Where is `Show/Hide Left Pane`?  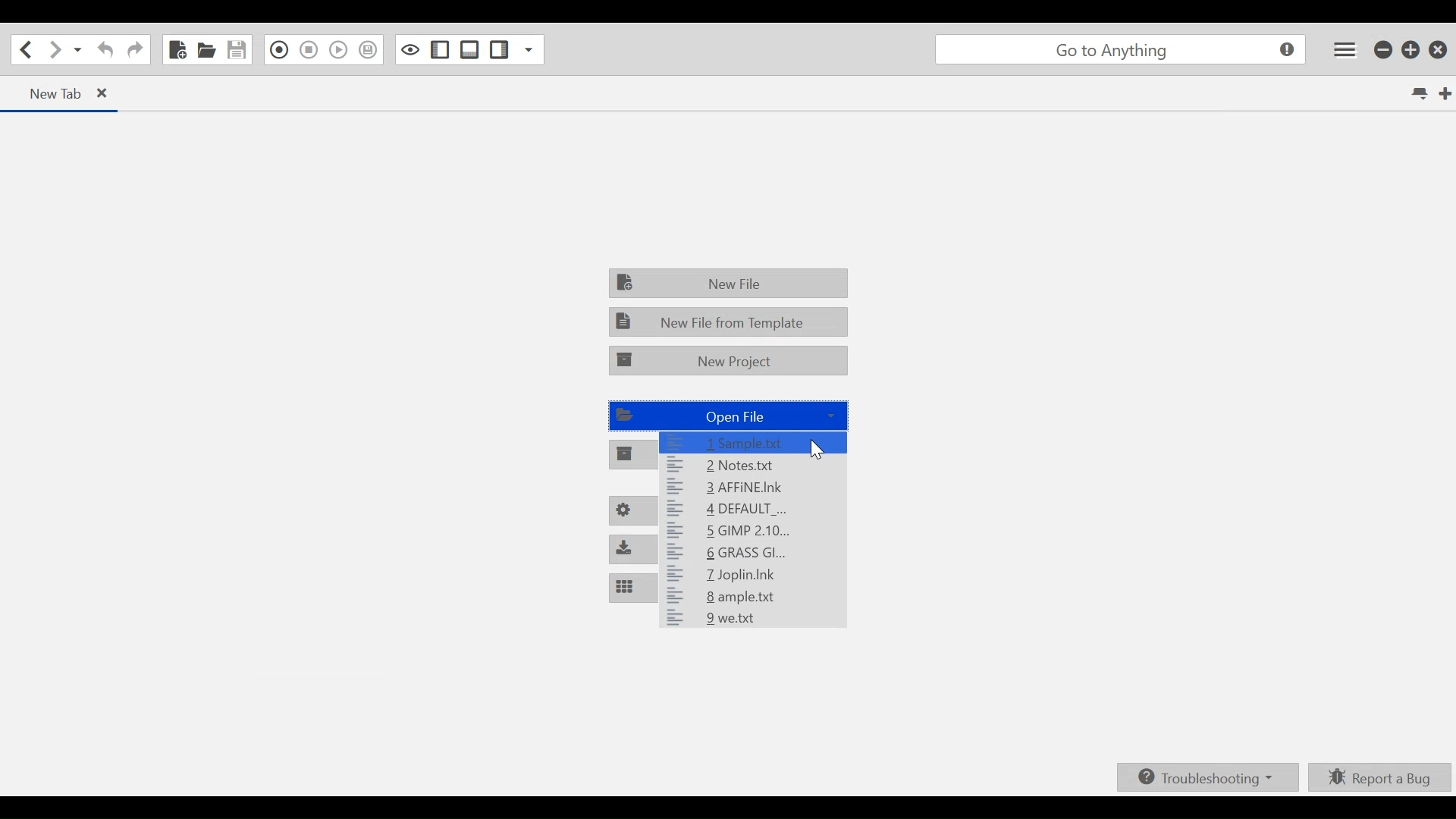
Show/Hide Left Pane is located at coordinates (498, 49).